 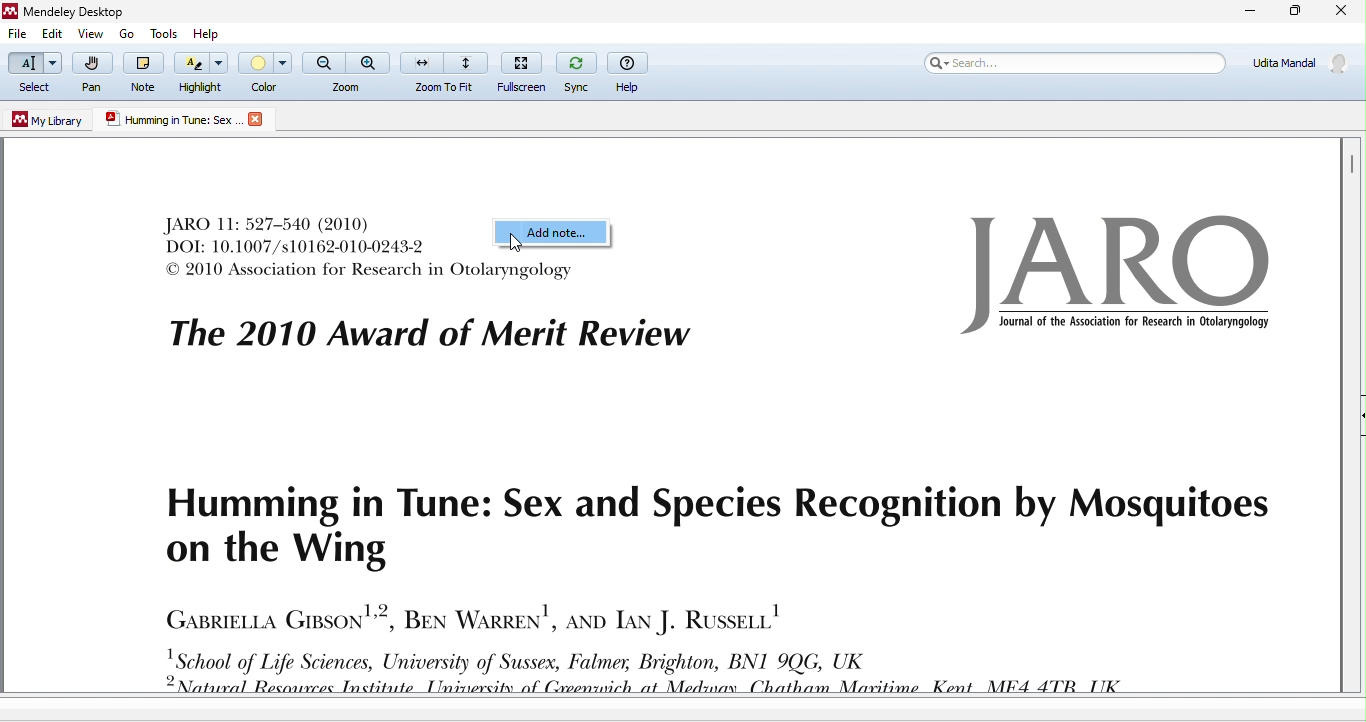 I want to click on humming in true.sex, so click(x=173, y=118).